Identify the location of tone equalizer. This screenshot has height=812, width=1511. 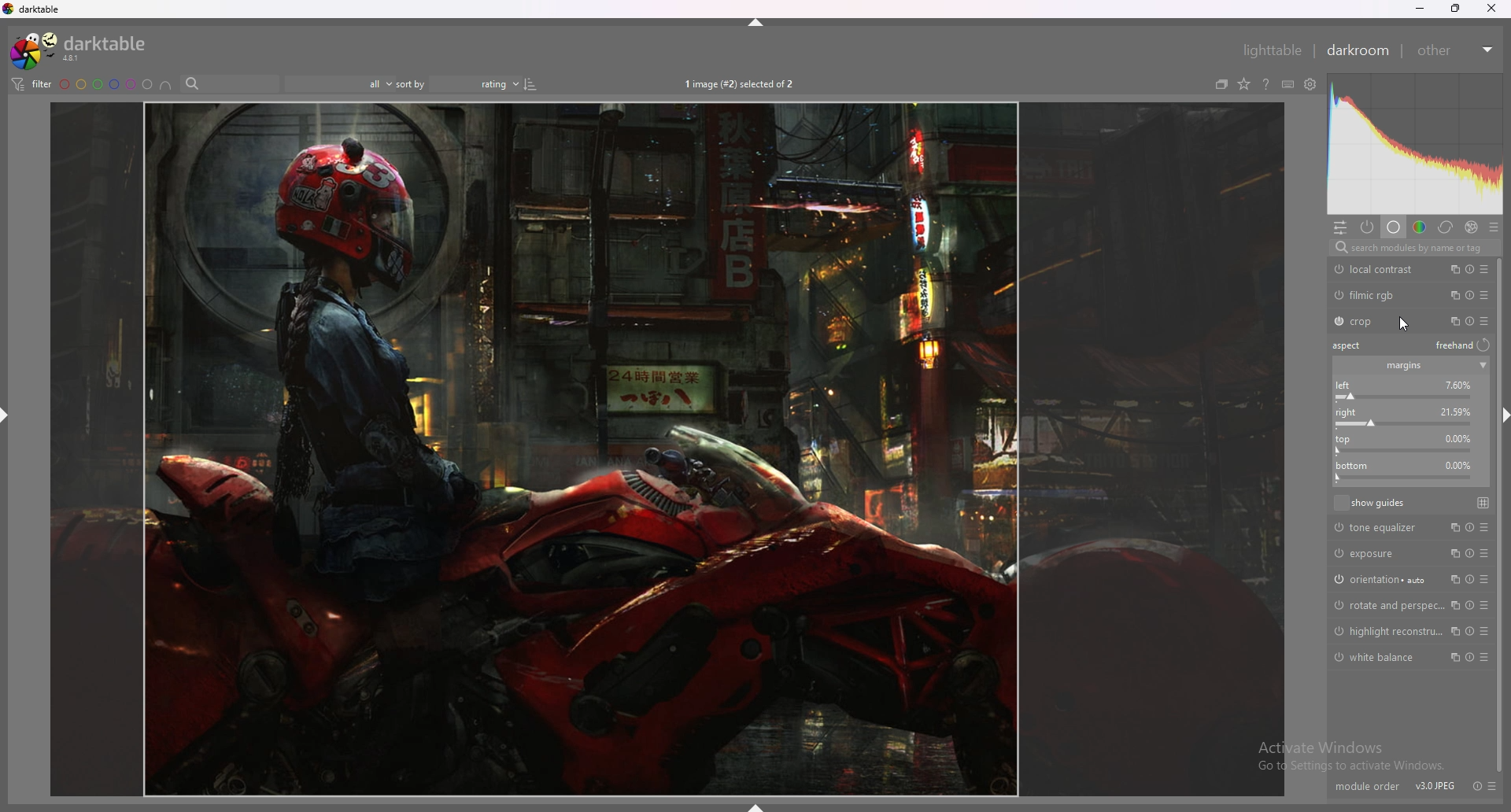
(1380, 528).